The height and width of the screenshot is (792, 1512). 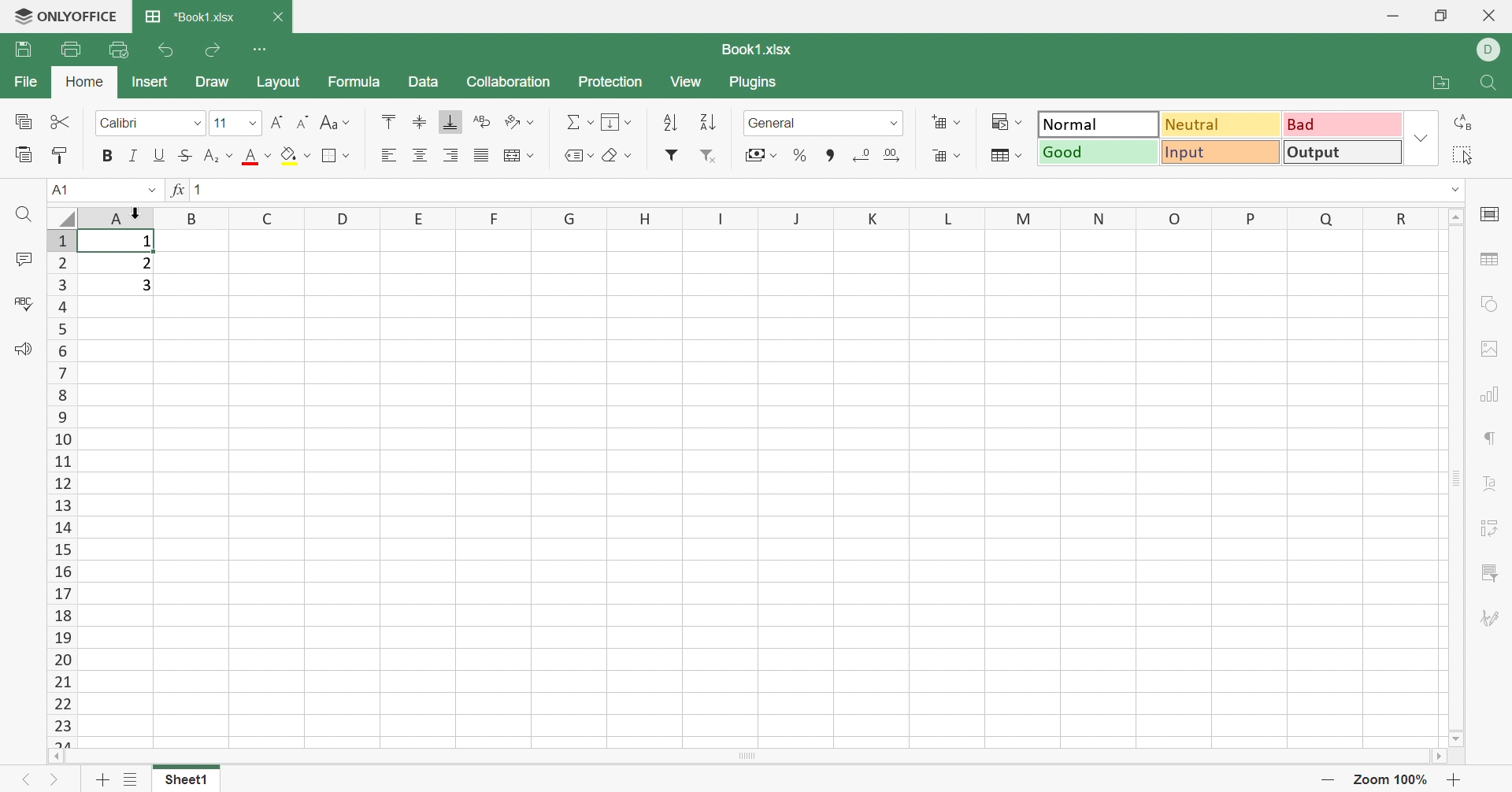 What do you see at coordinates (421, 155) in the screenshot?
I see `Align middle` at bounding box center [421, 155].